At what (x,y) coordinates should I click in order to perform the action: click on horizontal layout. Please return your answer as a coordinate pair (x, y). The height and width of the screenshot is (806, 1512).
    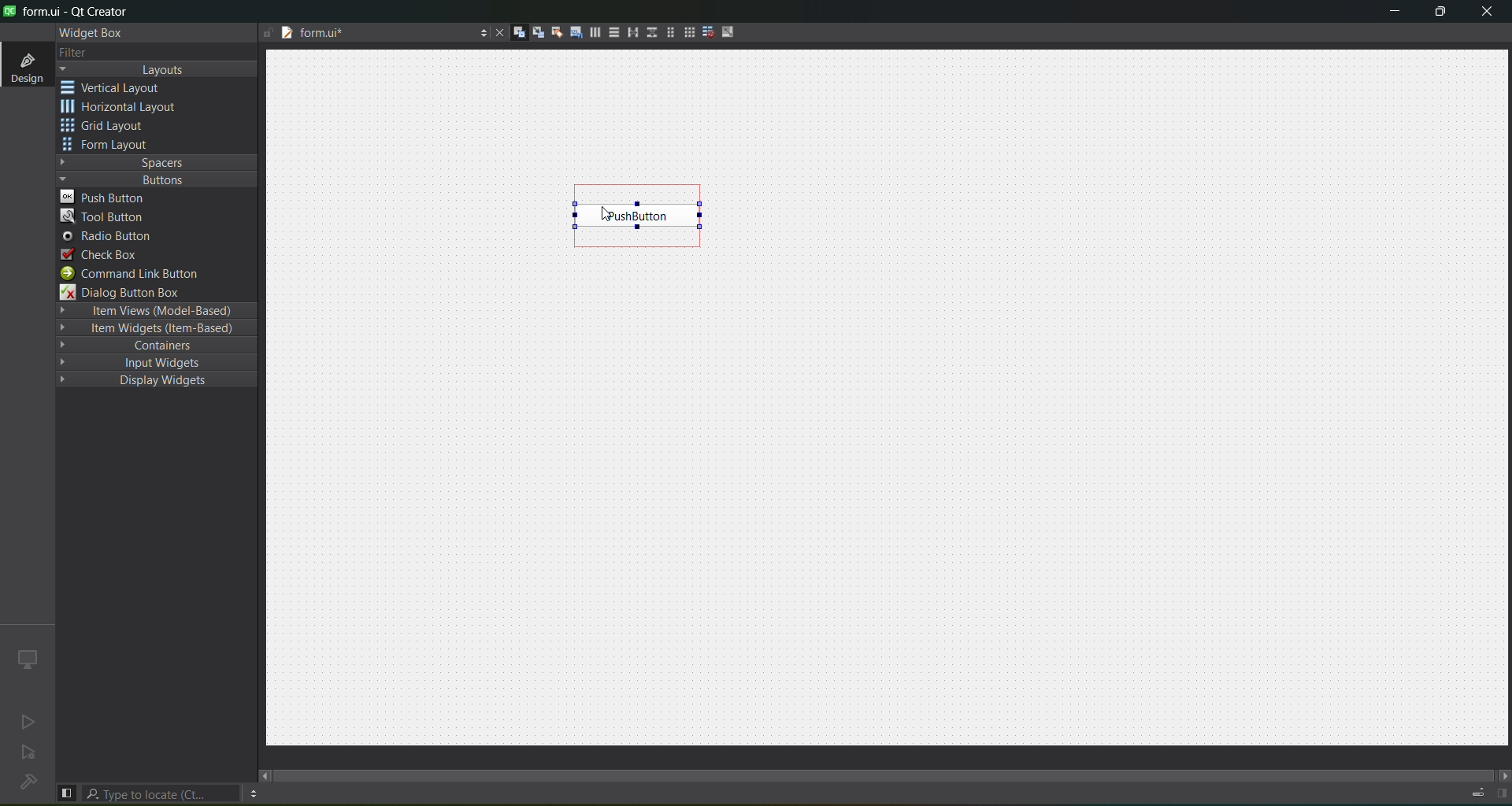
    Looking at the image, I should click on (124, 109).